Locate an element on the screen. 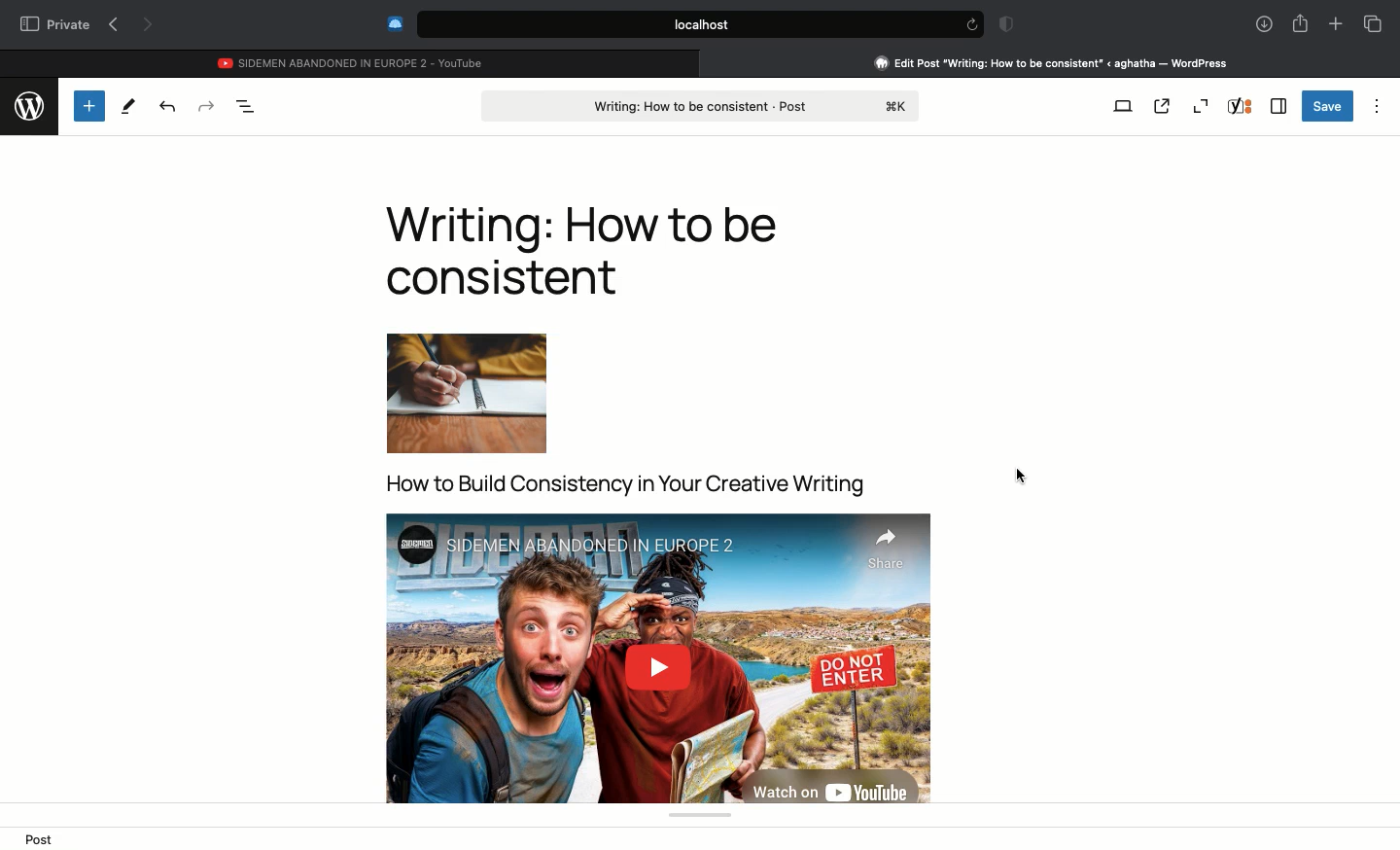  Badge is located at coordinates (1003, 25).